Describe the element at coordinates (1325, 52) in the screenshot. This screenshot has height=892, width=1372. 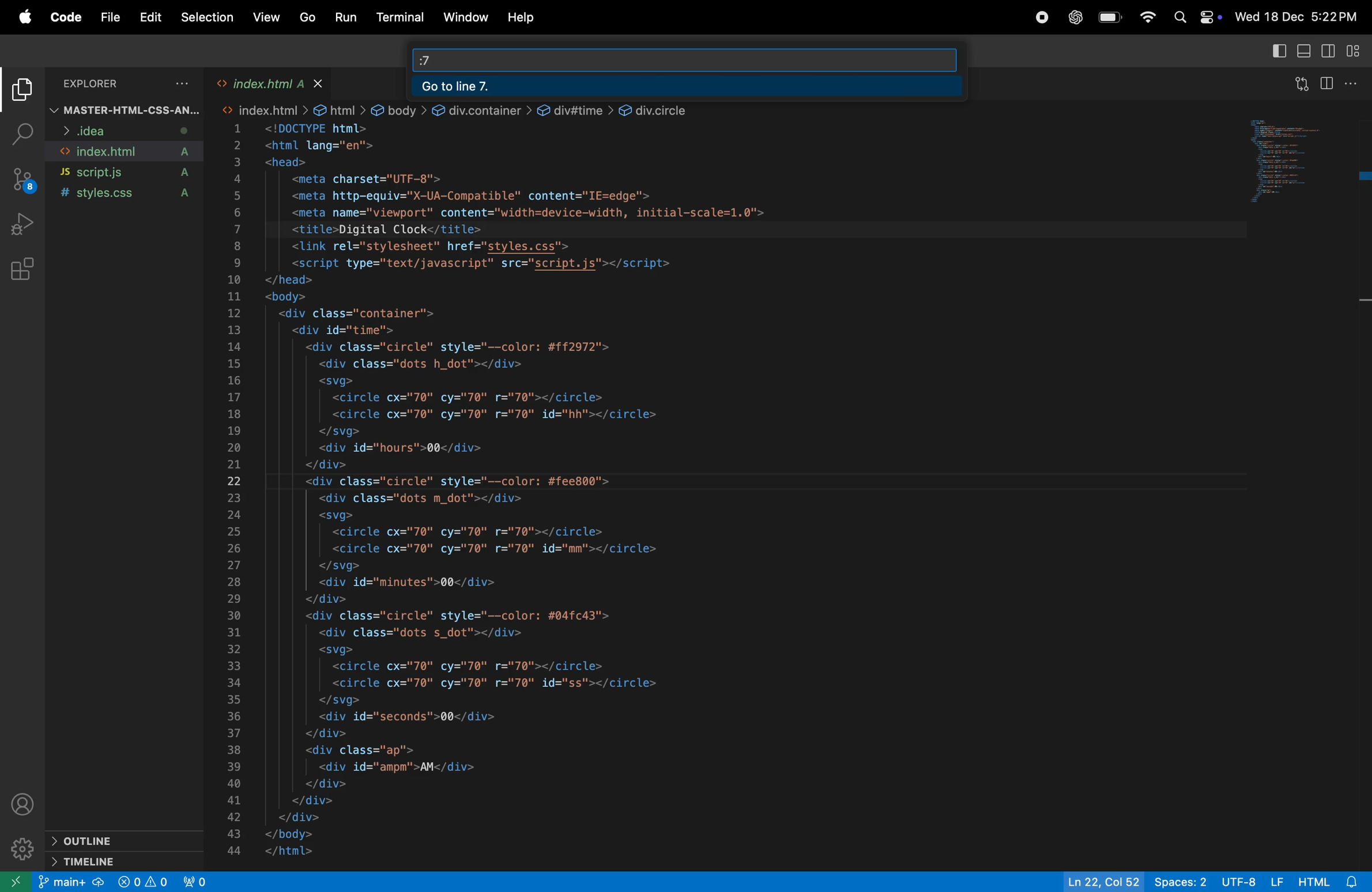
I see `toggle editor` at that location.